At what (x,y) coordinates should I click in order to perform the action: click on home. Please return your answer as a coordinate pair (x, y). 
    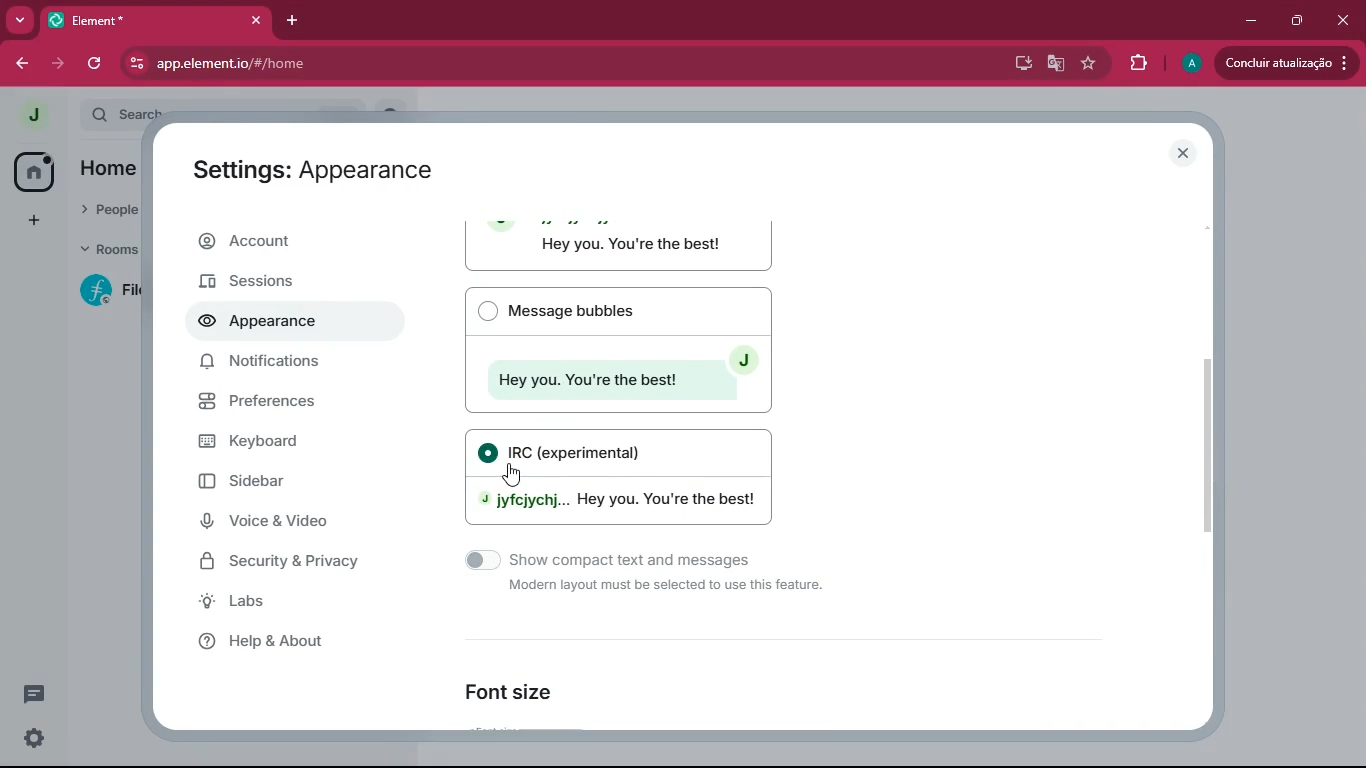
    Looking at the image, I should click on (34, 171).